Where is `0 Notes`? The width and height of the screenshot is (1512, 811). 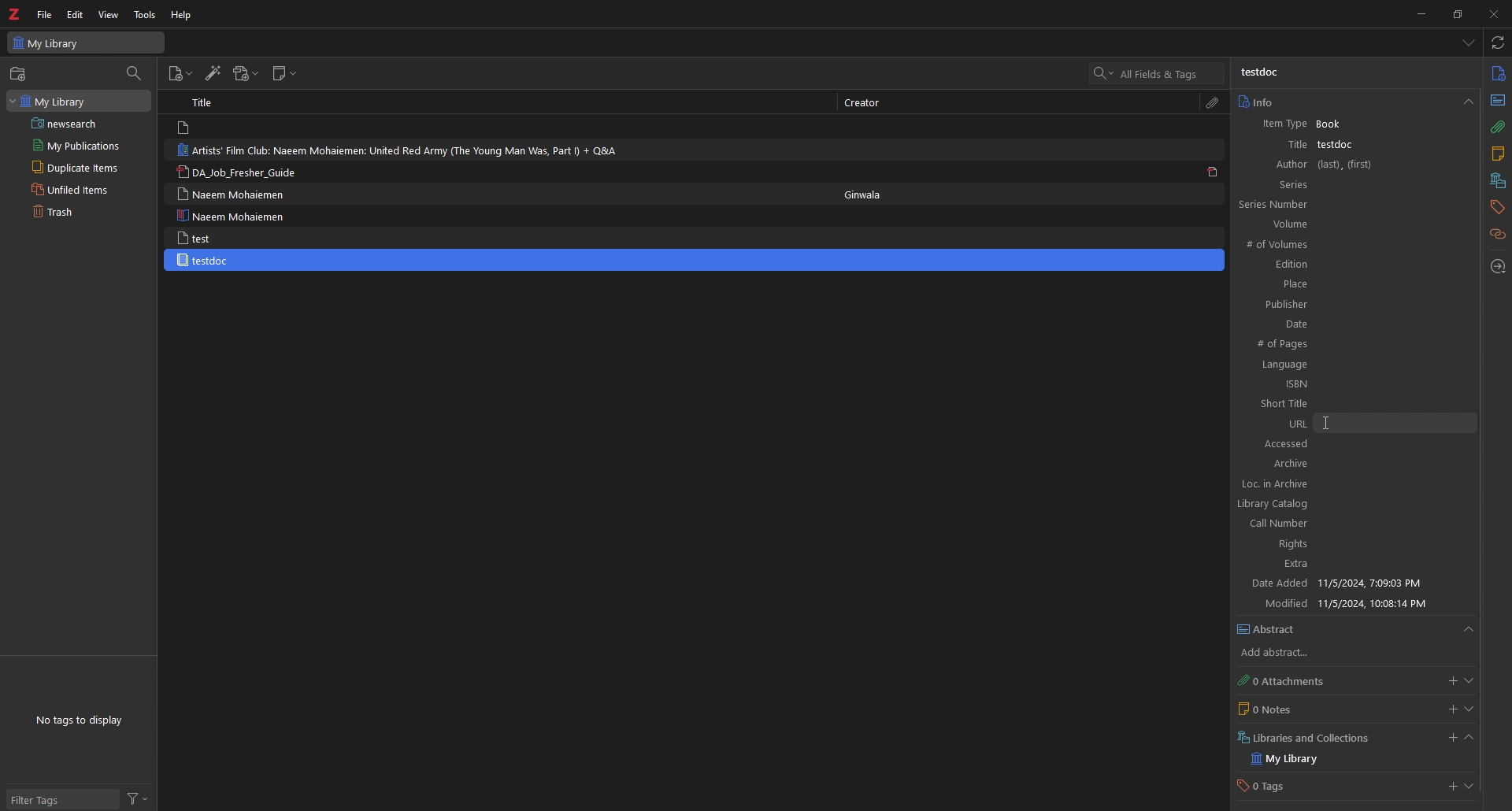 0 Notes is located at coordinates (1279, 709).